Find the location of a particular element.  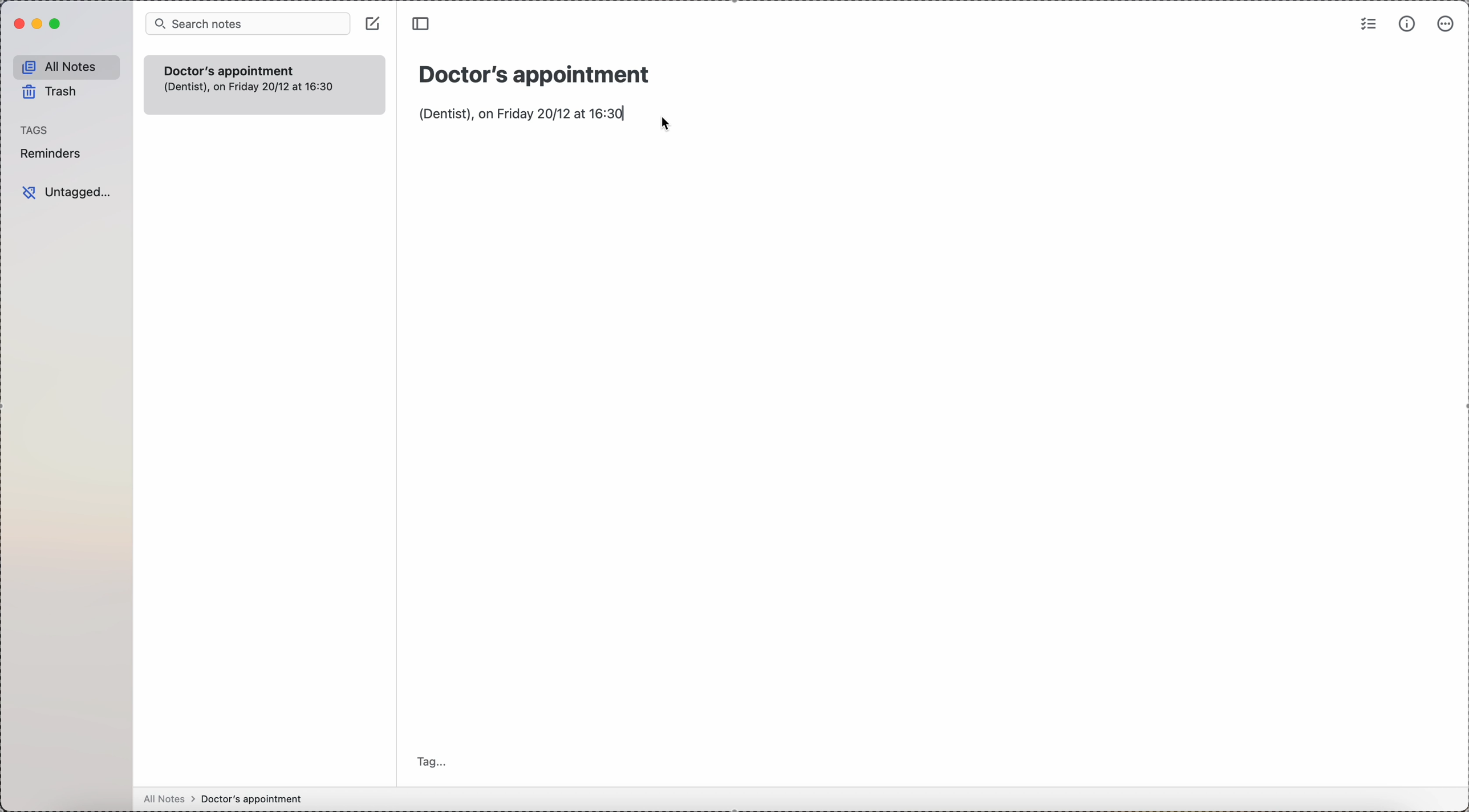

check list is located at coordinates (1366, 25).